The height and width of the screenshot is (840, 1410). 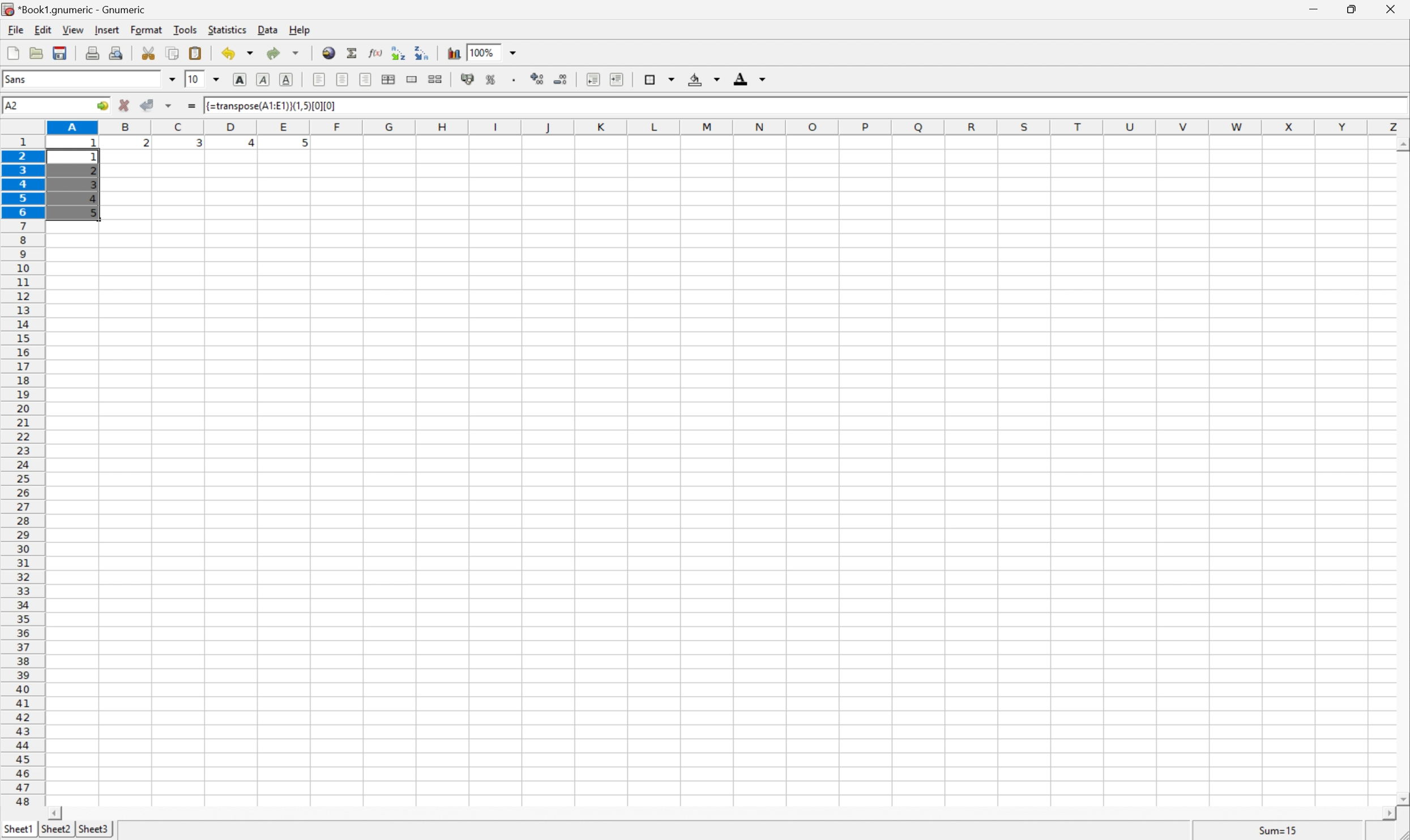 I want to click on column names, so click(x=724, y=128).